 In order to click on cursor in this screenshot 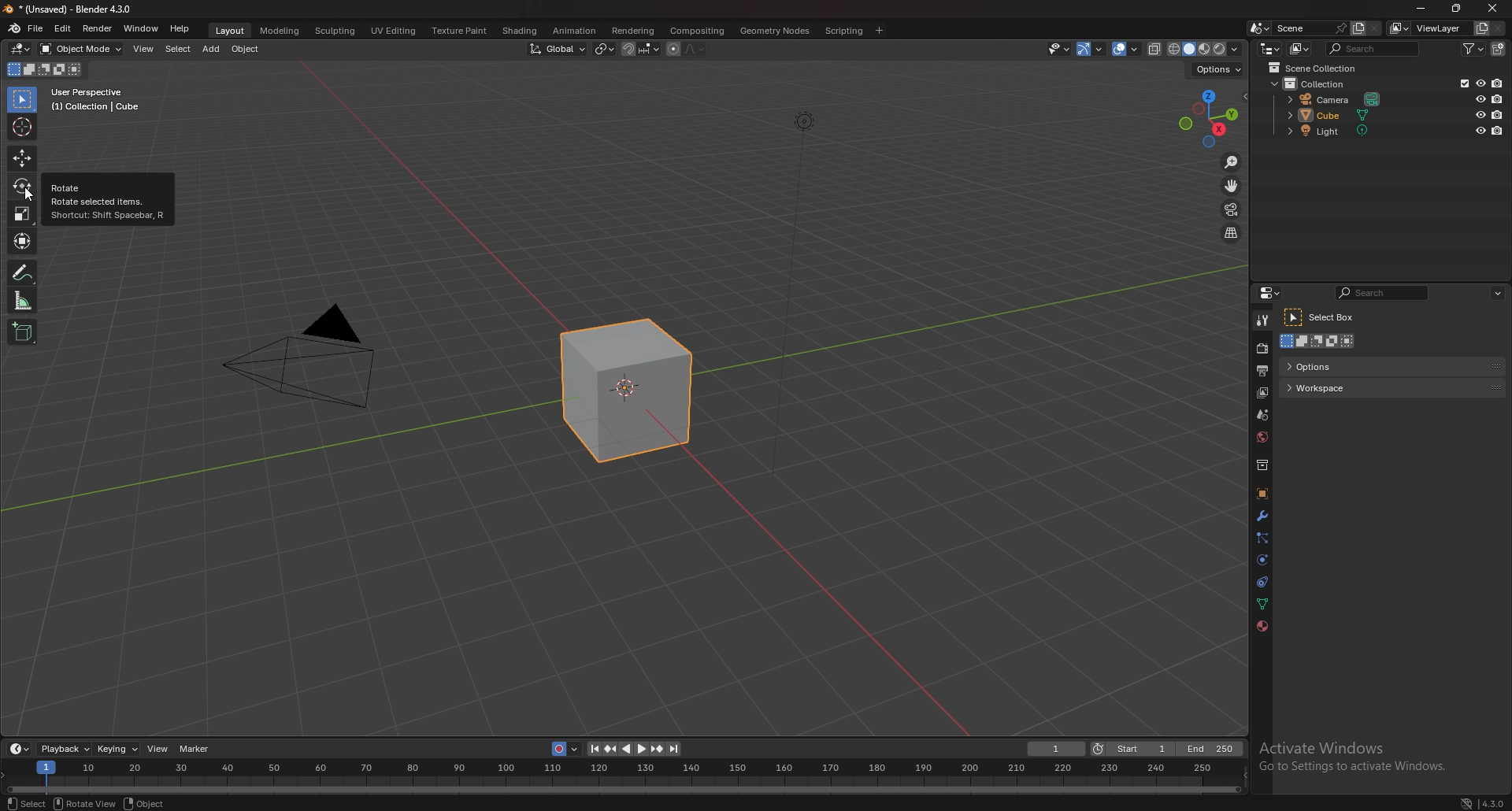, I will do `click(28, 192)`.